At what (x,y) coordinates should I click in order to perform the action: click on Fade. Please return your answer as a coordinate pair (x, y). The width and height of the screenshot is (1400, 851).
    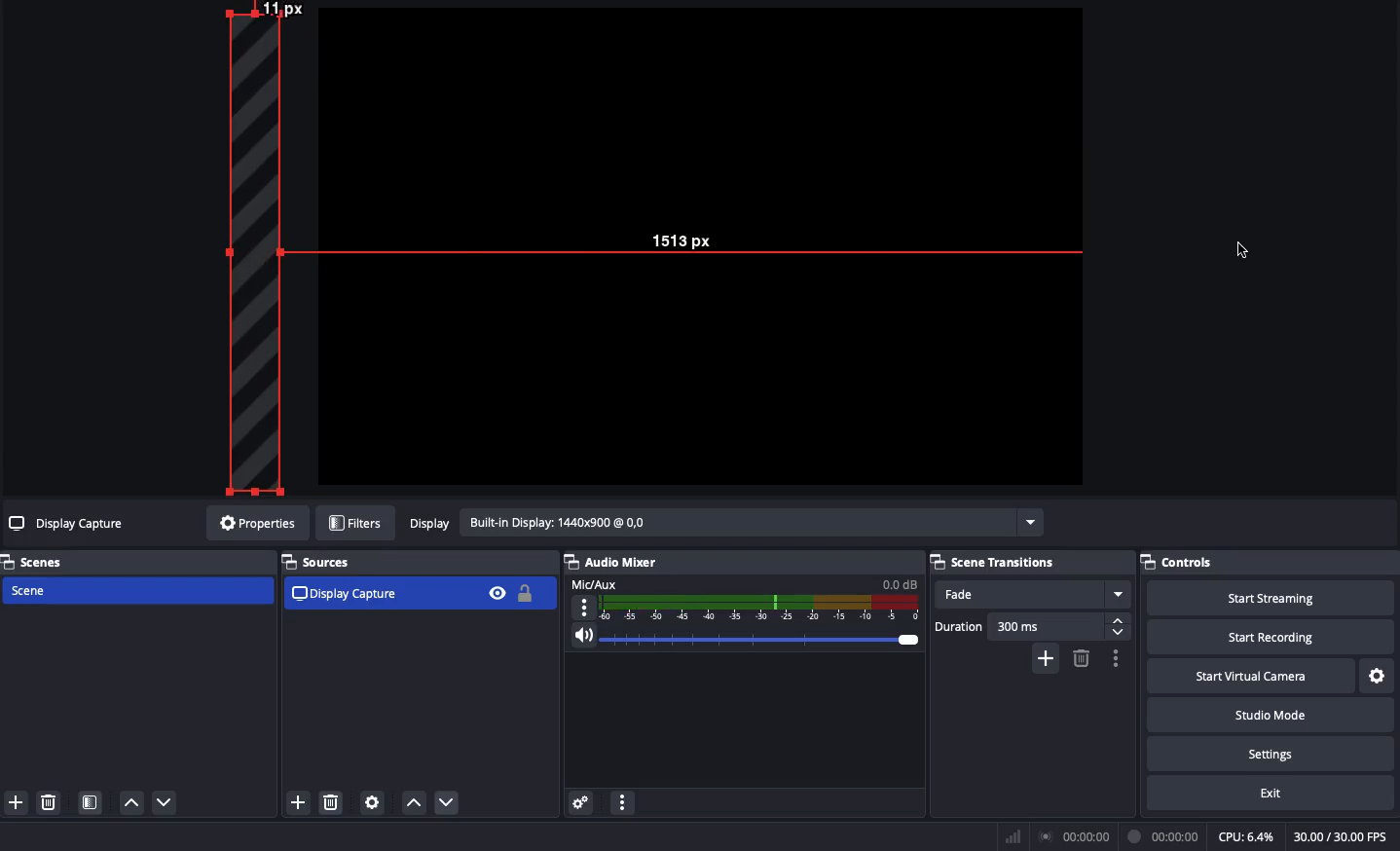
    Looking at the image, I should click on (1032, 595).